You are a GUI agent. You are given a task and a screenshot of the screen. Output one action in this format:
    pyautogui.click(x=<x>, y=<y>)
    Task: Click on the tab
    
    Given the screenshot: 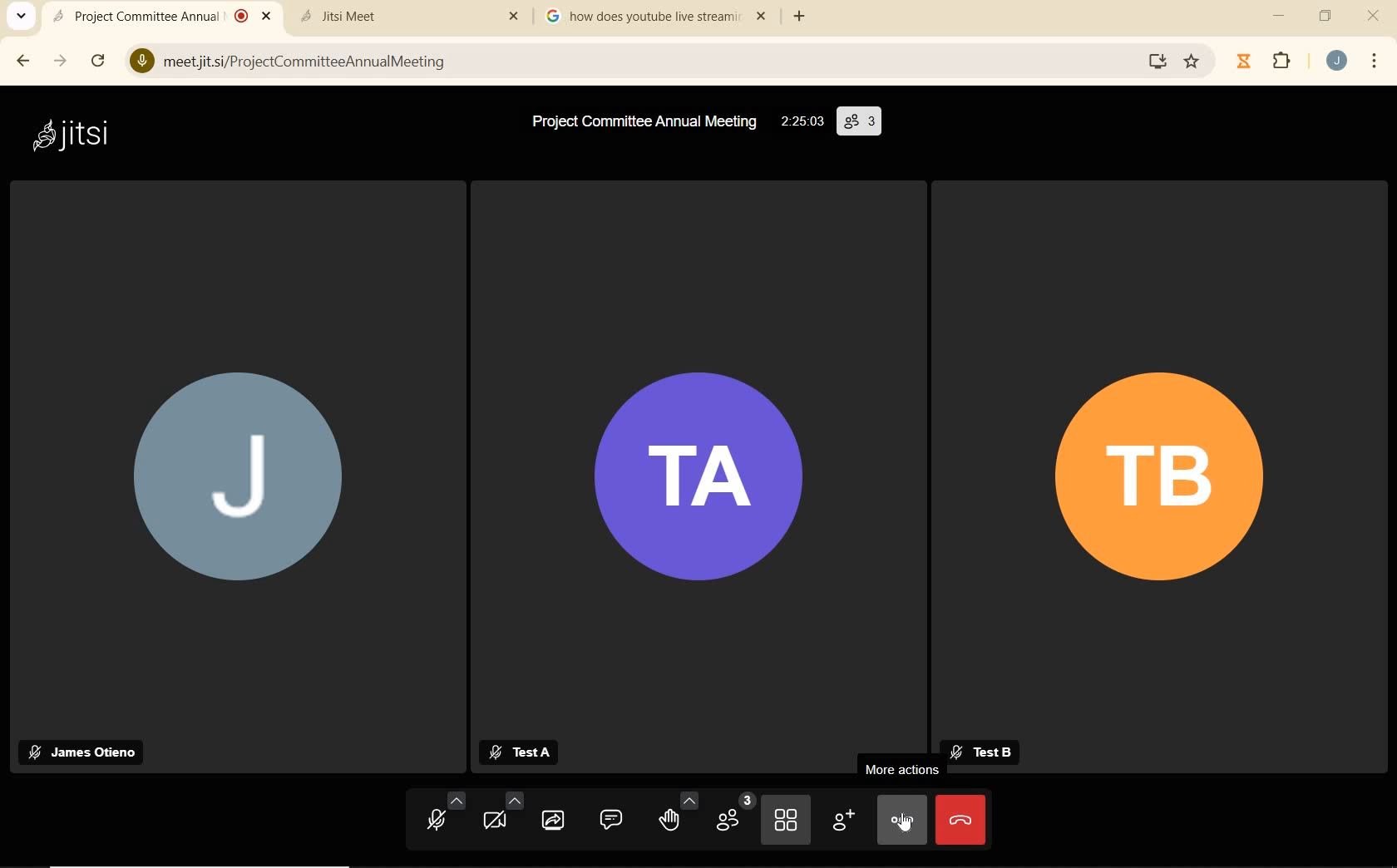 What is the action you would take?
    pyautogui.click(x=639, y=17)
    